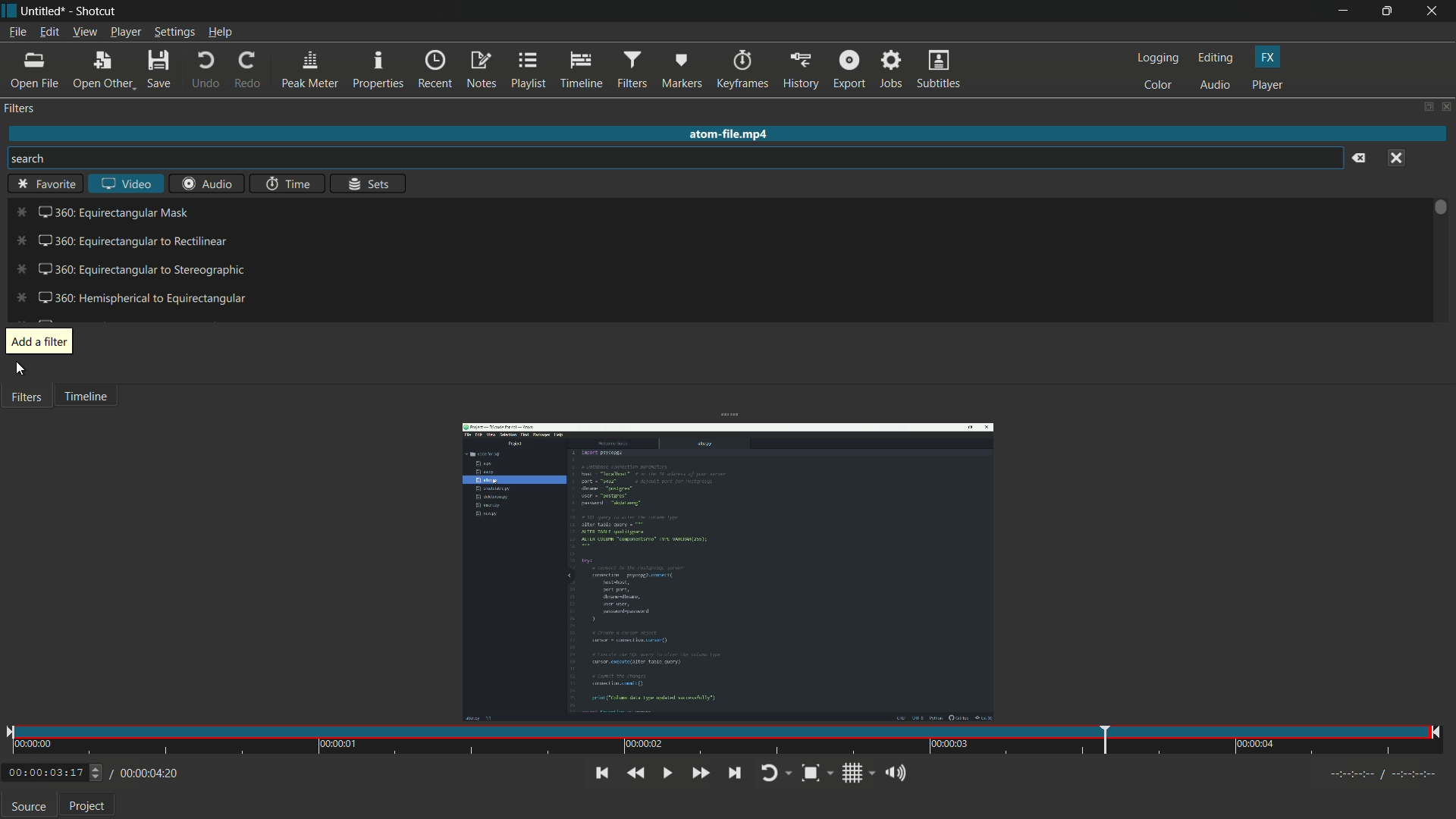  Describe the element at coordinates (700, 774) in the screenshot. I see `quickly play forward` at that location.